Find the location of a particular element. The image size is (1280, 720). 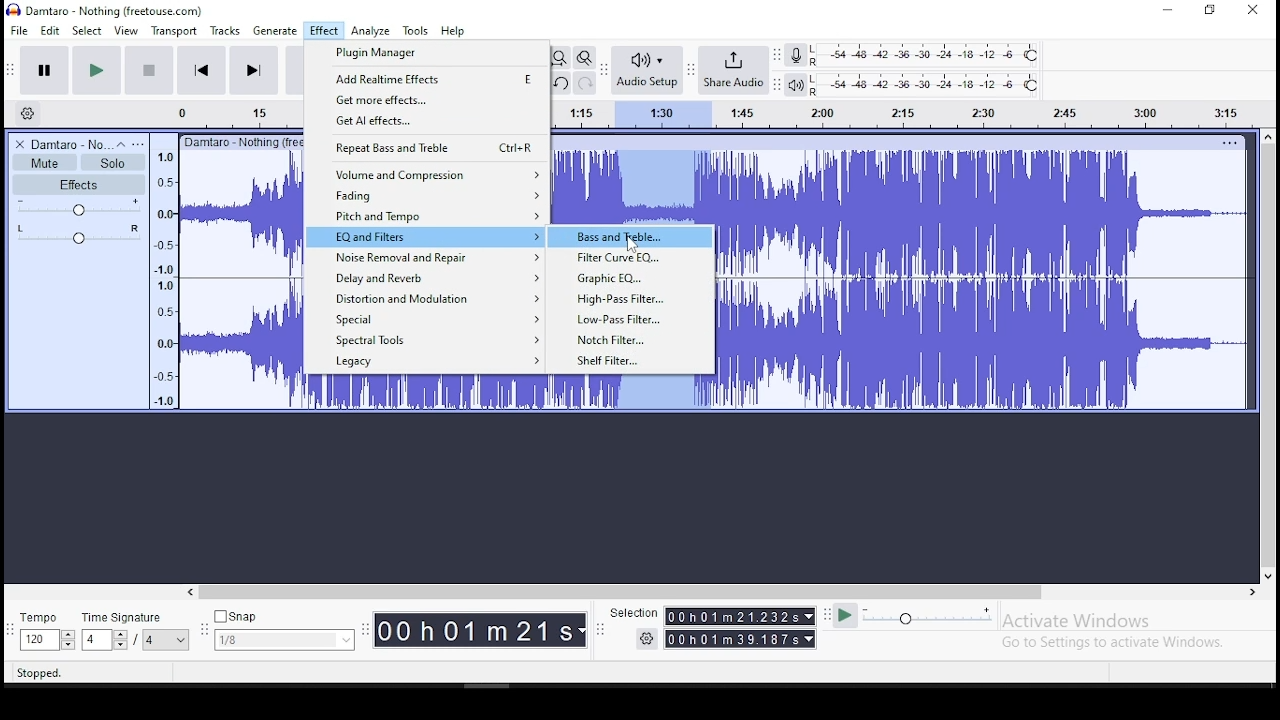

fading is located at coordinates (424, 195).